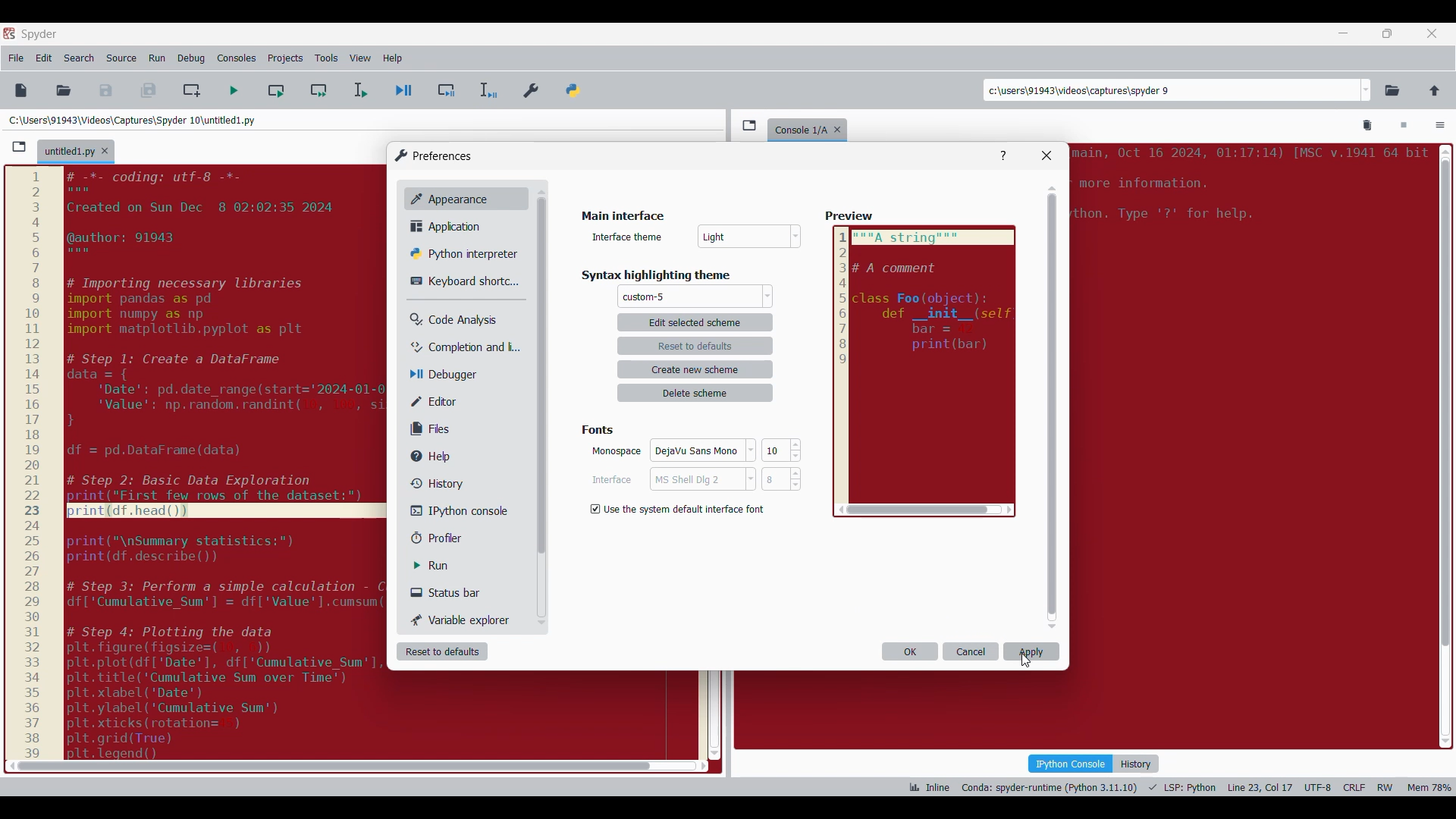 This screenshot has height=819, width=1456. Describe the element at coordinates (451, 592) in the screenshot. I see `Status bar` at that location.